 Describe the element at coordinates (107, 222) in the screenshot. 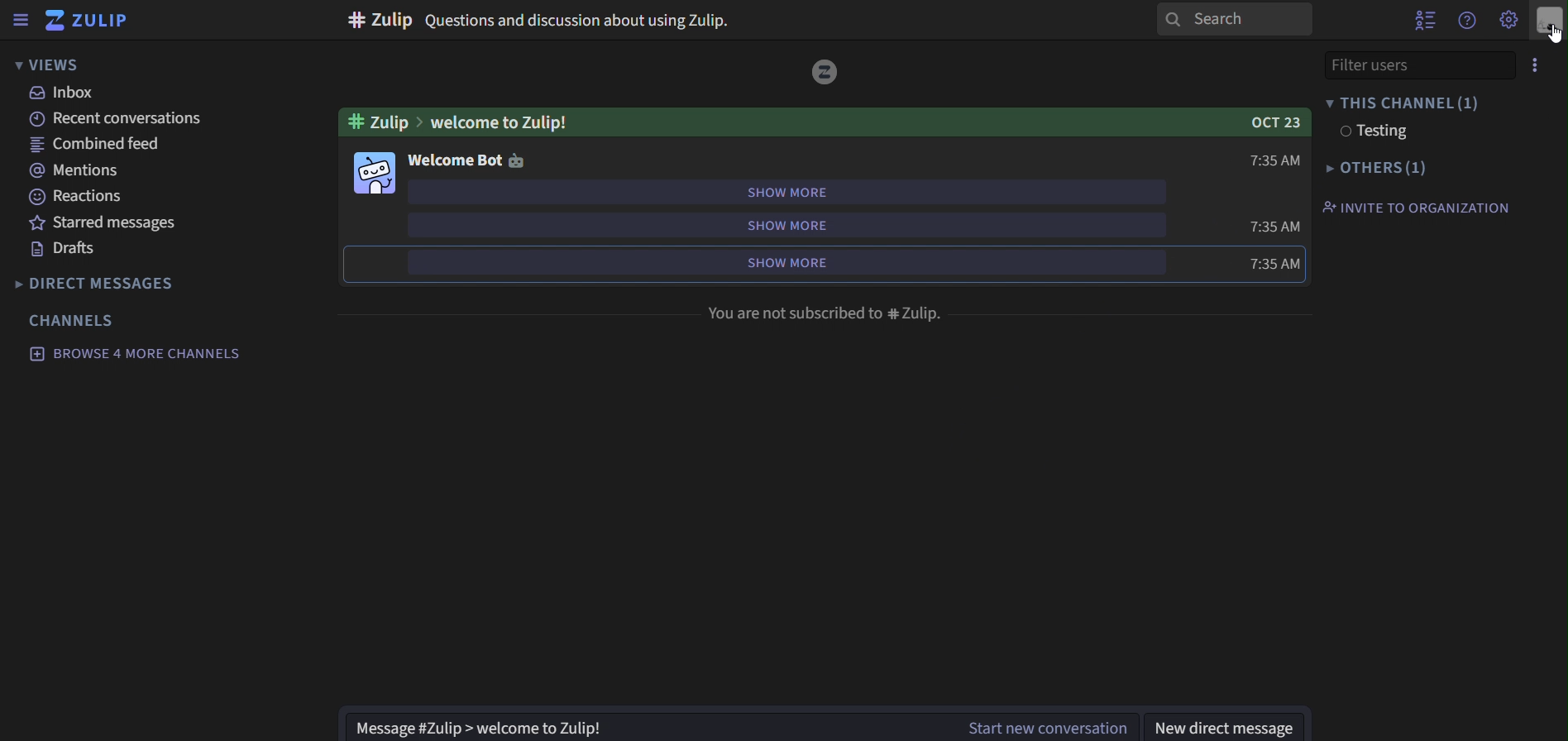

I see `starred messages` at that location.